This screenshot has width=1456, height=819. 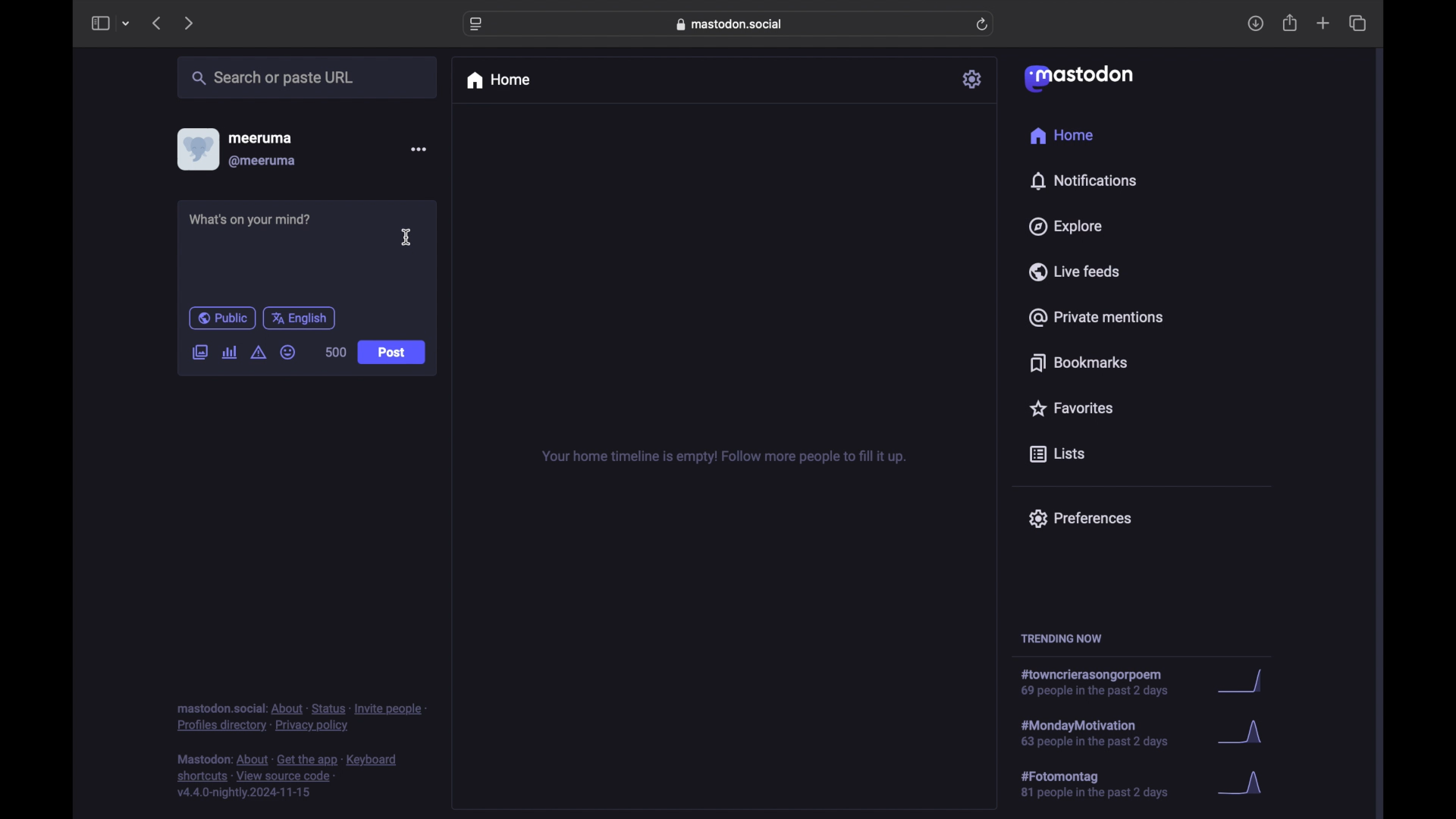 I want to click on tab group picker, so click(x=126, y=24).